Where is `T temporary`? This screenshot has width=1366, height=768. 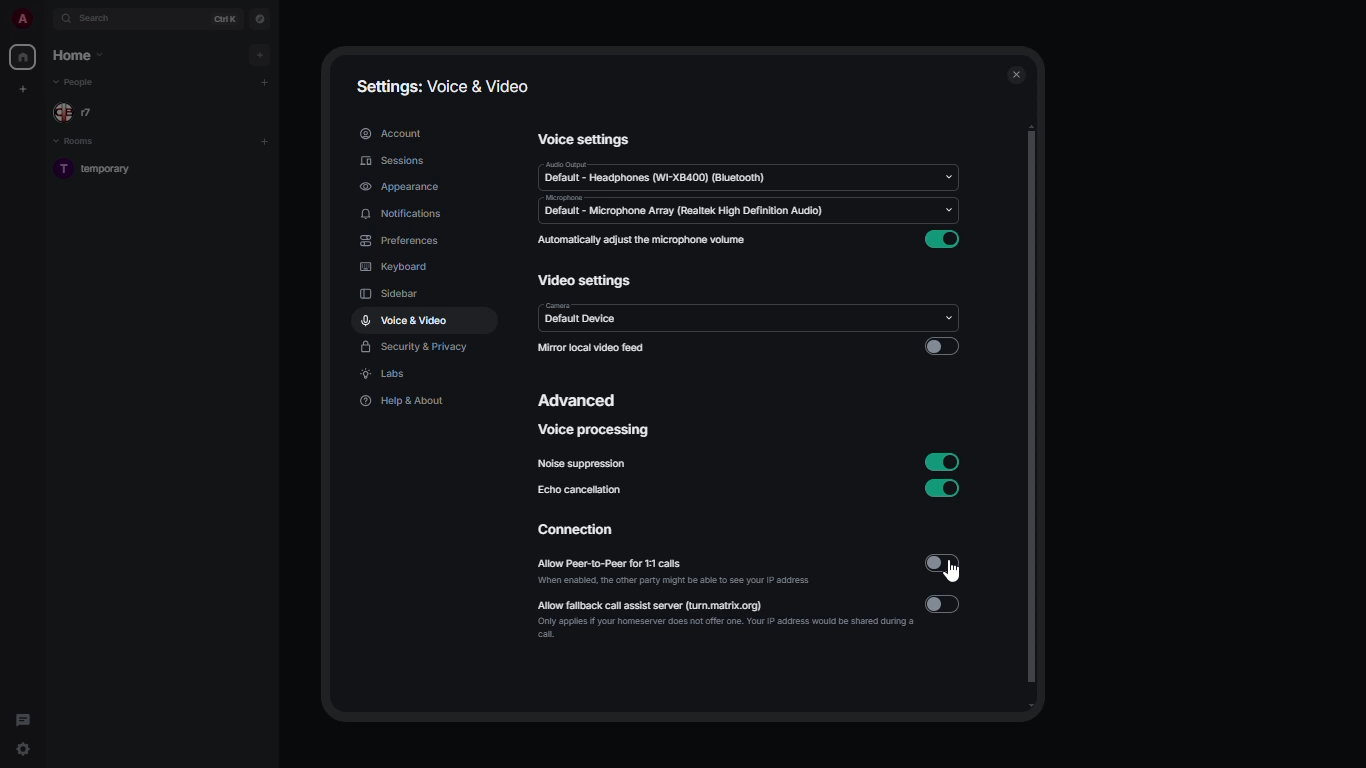 T temporary is located at coordinates (99, 169).